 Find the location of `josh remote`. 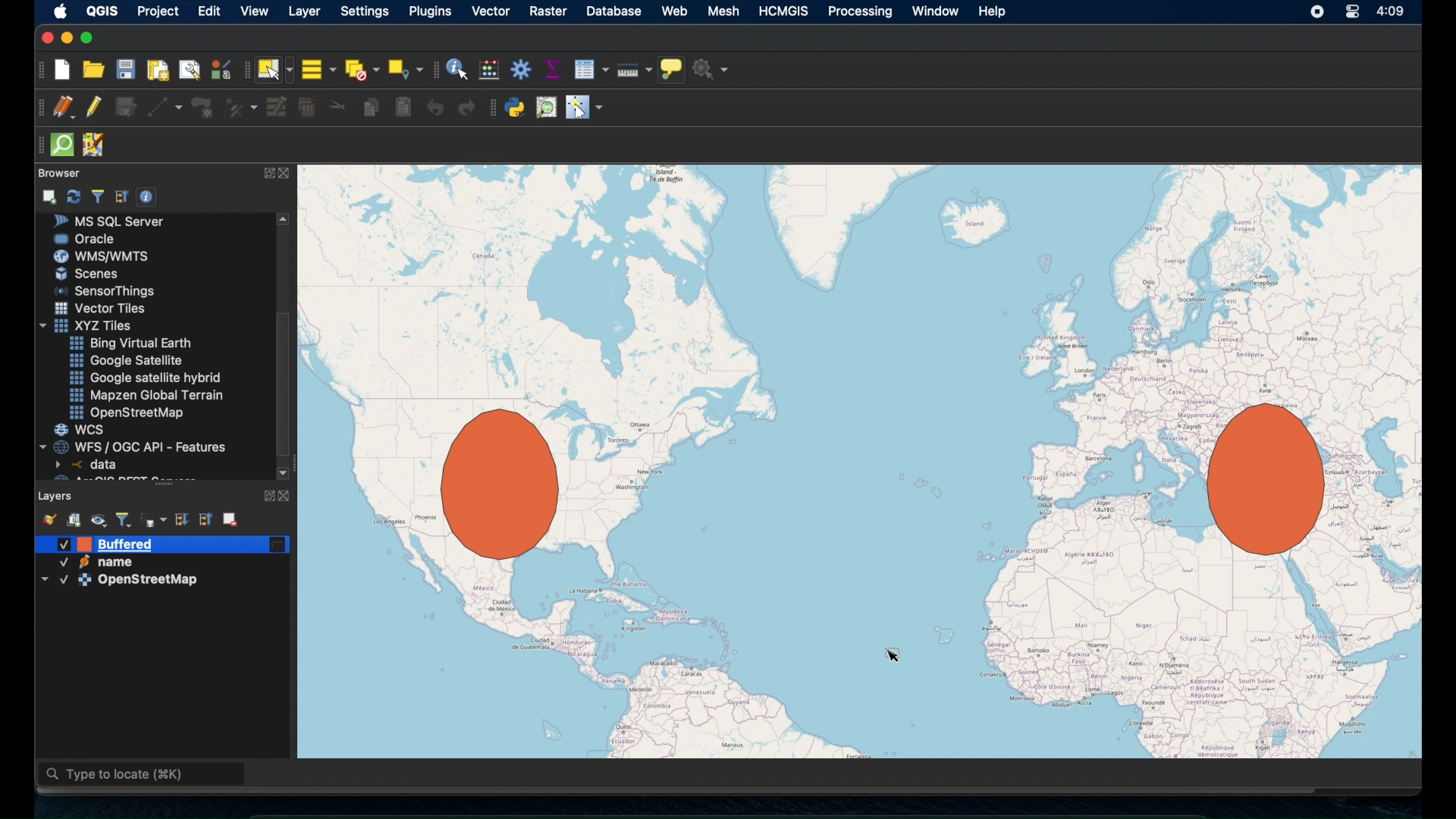

josh remote is located at coordinates (97, 146).